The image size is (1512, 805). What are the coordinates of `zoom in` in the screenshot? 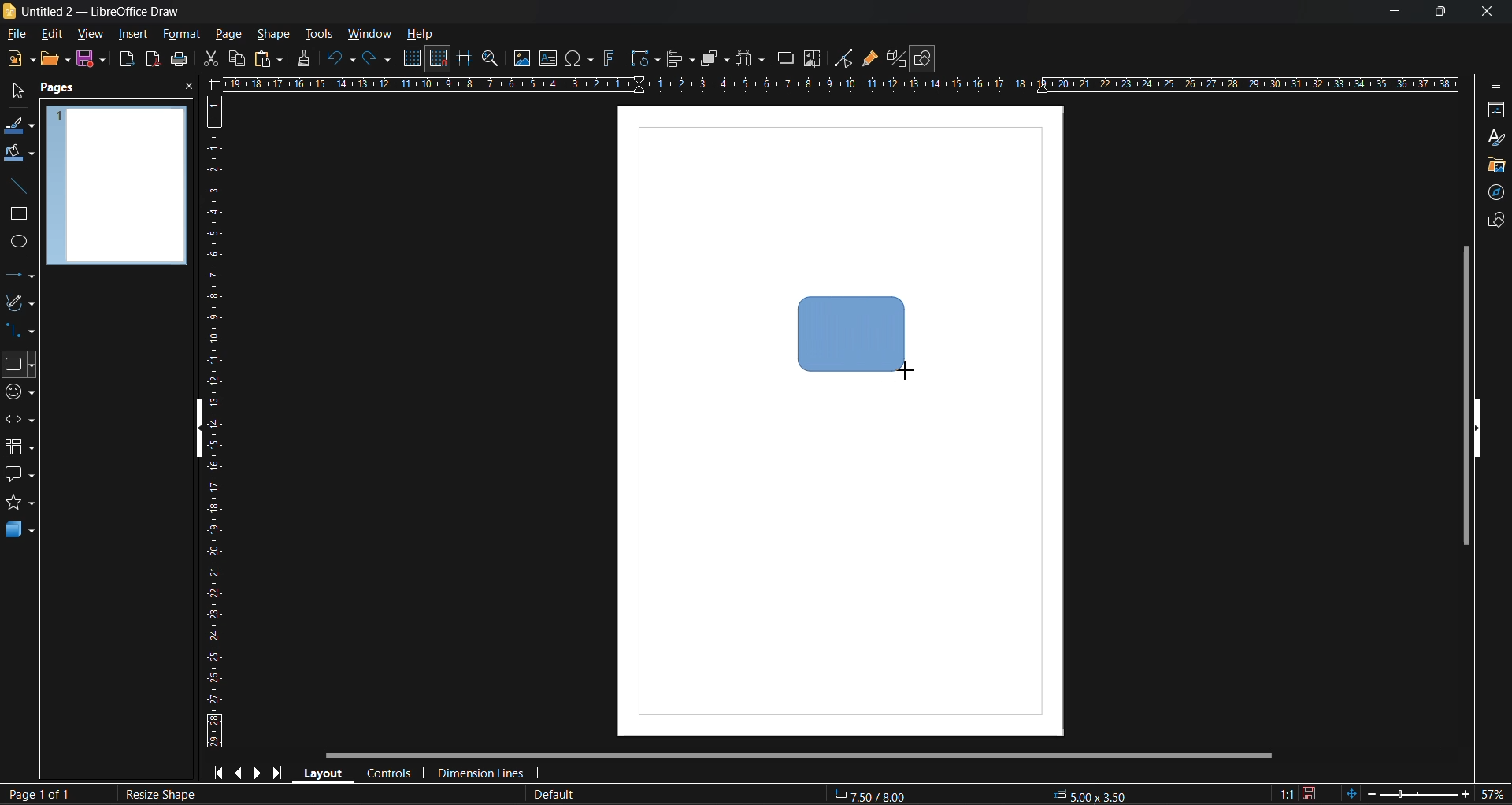 It's located at (1465, 796).